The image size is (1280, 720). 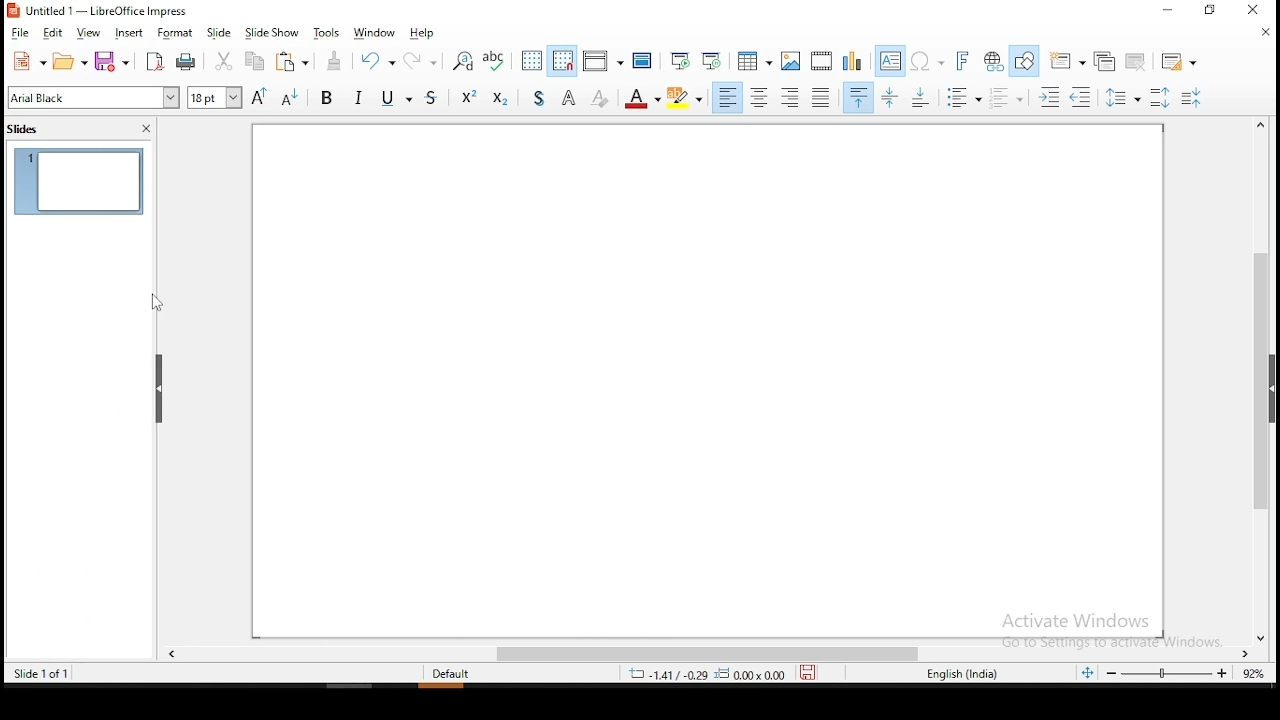 What do you see at coordinates (177, 31) in the screenshot?
I see `format` at bounding box center [177, 31].